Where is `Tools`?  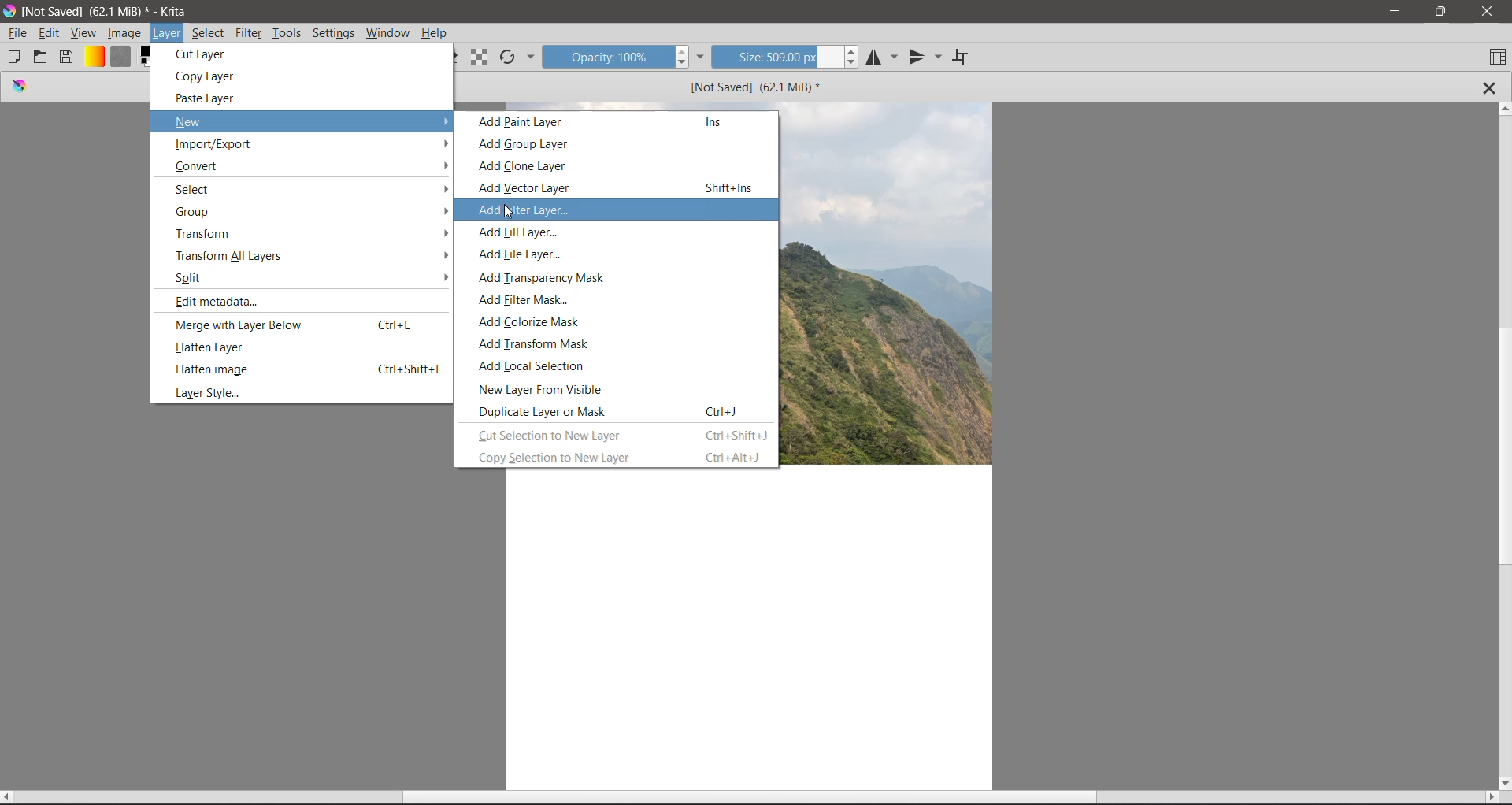
Tools is located at coordinates (289, 31).